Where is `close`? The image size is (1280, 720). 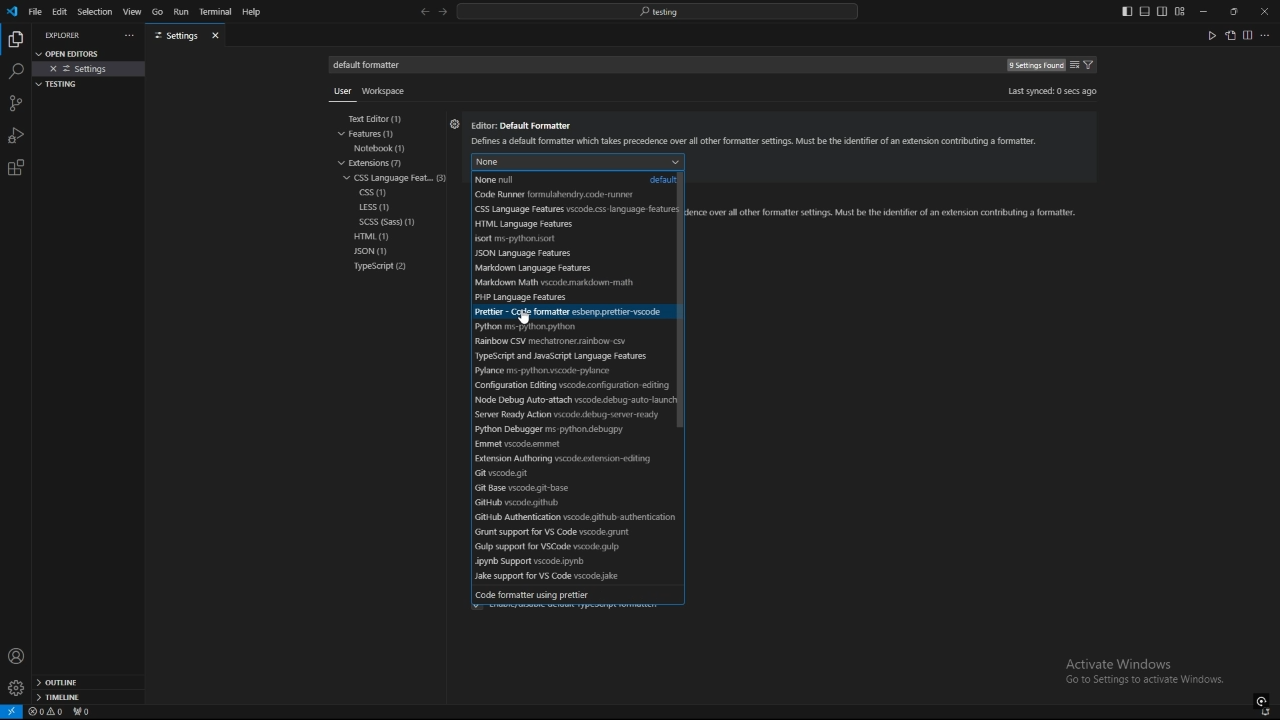
close is located at coordinates (1264, 10).